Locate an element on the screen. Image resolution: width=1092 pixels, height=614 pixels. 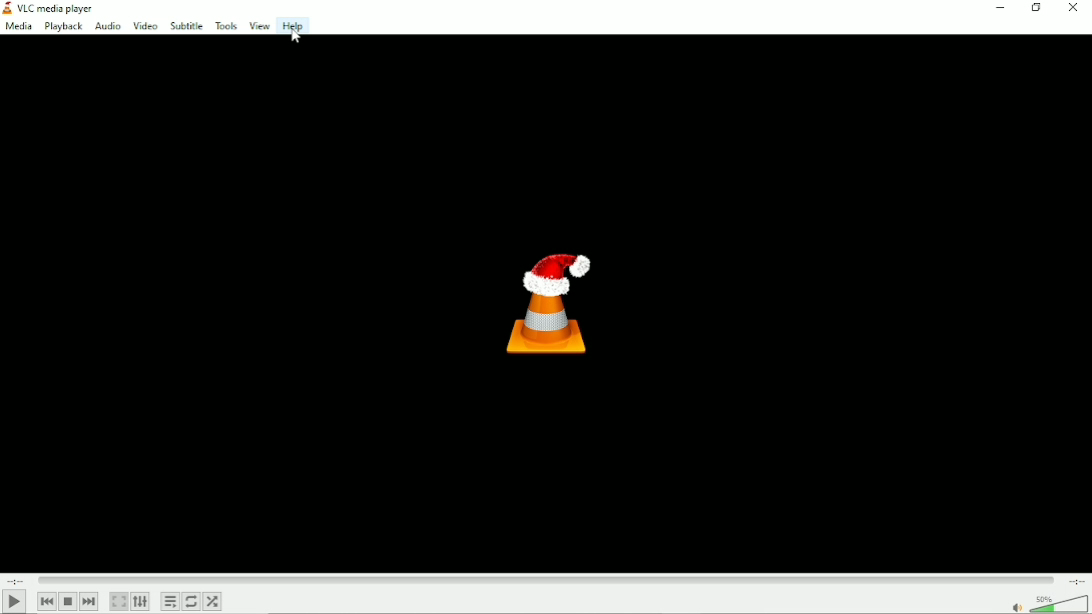
Play duration is located at coordinates (545, 578).